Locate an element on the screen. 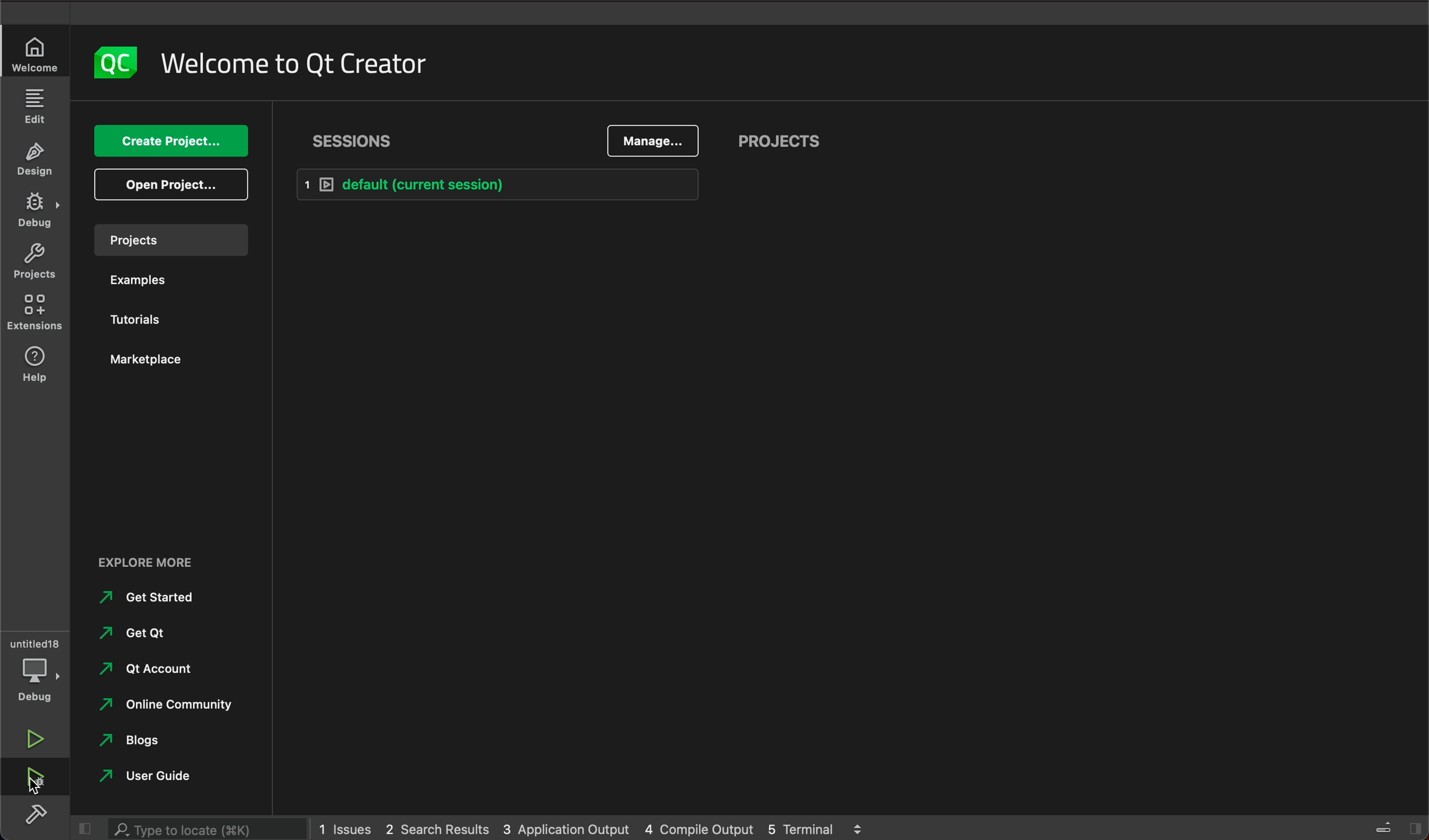  Online Community is located at coordinates (166, 705).